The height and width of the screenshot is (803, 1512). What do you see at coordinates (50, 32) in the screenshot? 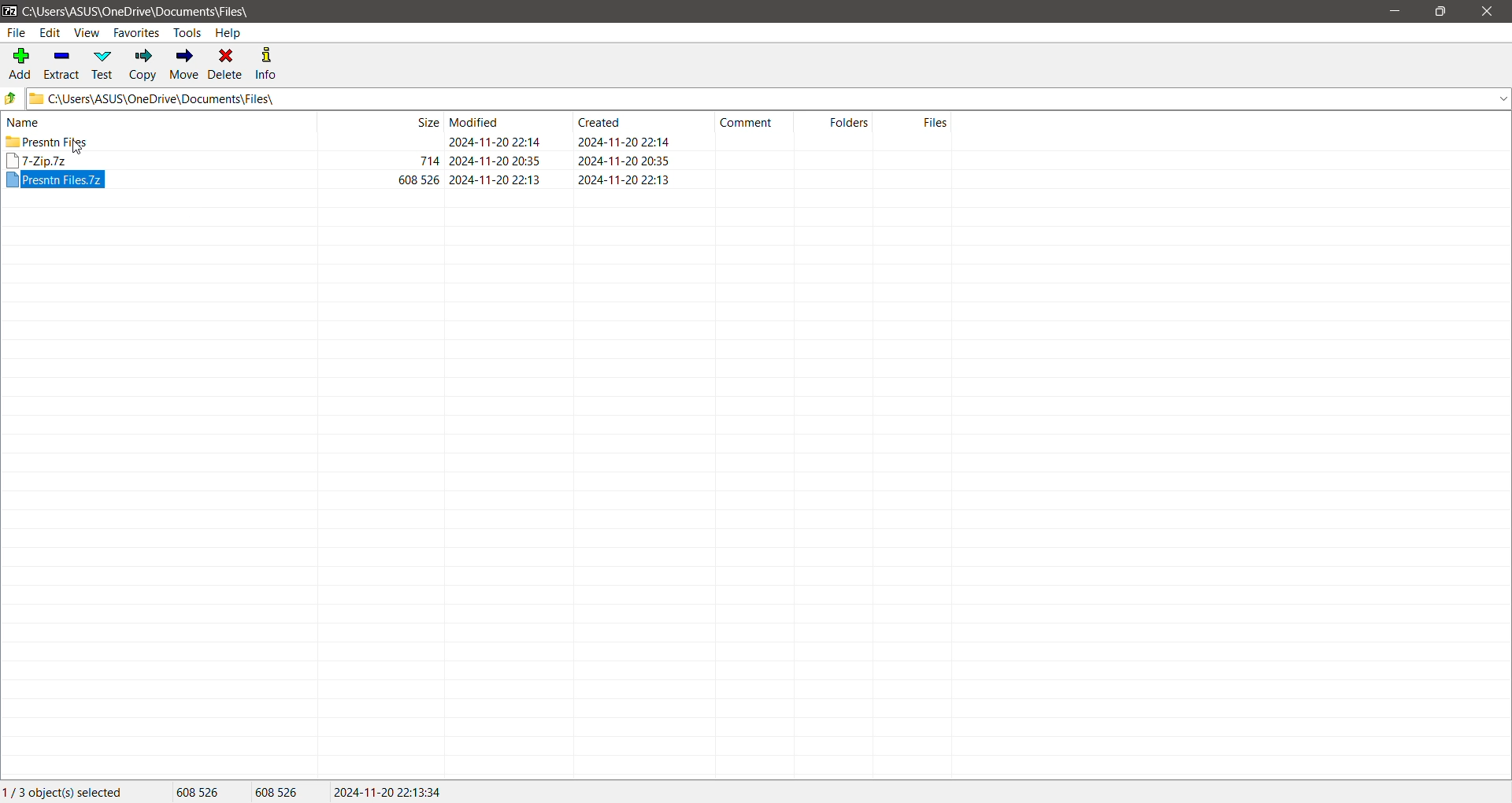
I see `Edit` at bounding box center [50, 32].